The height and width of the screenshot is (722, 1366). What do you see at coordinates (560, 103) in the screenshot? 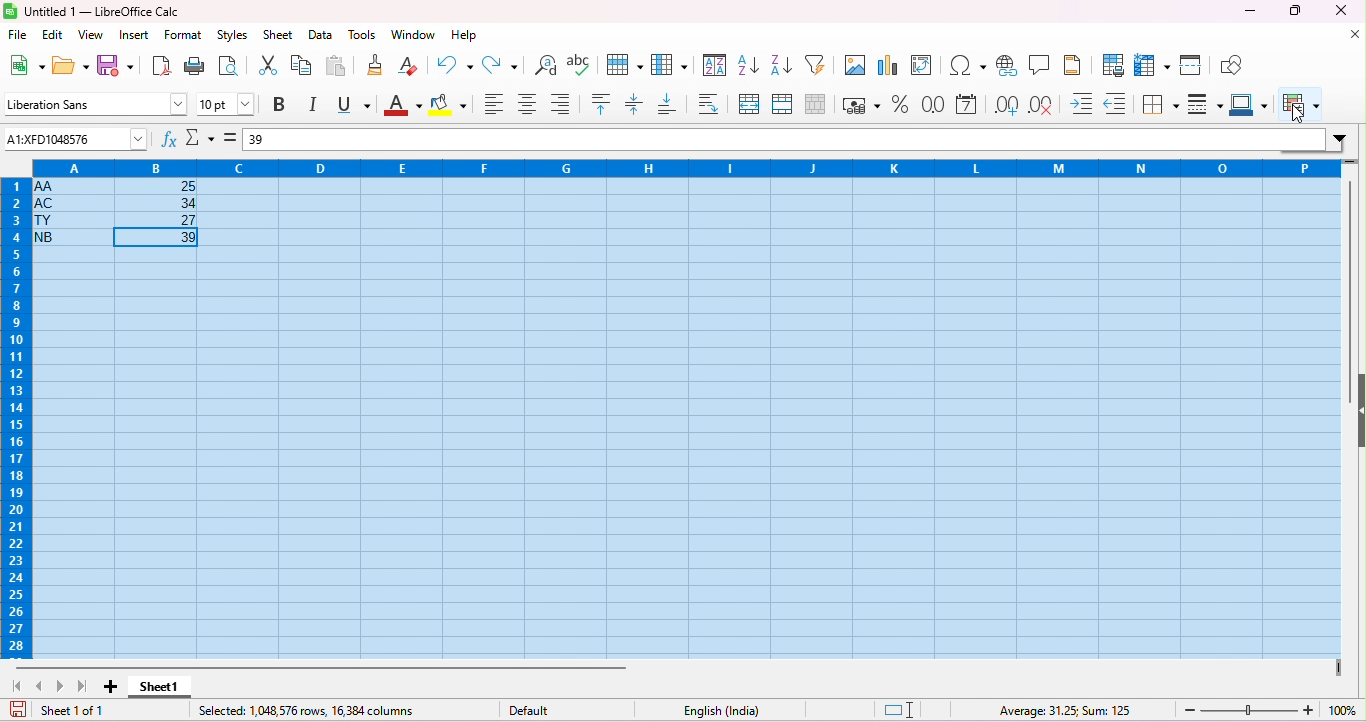
I see `align bottom` at bounding box center [560, 103].